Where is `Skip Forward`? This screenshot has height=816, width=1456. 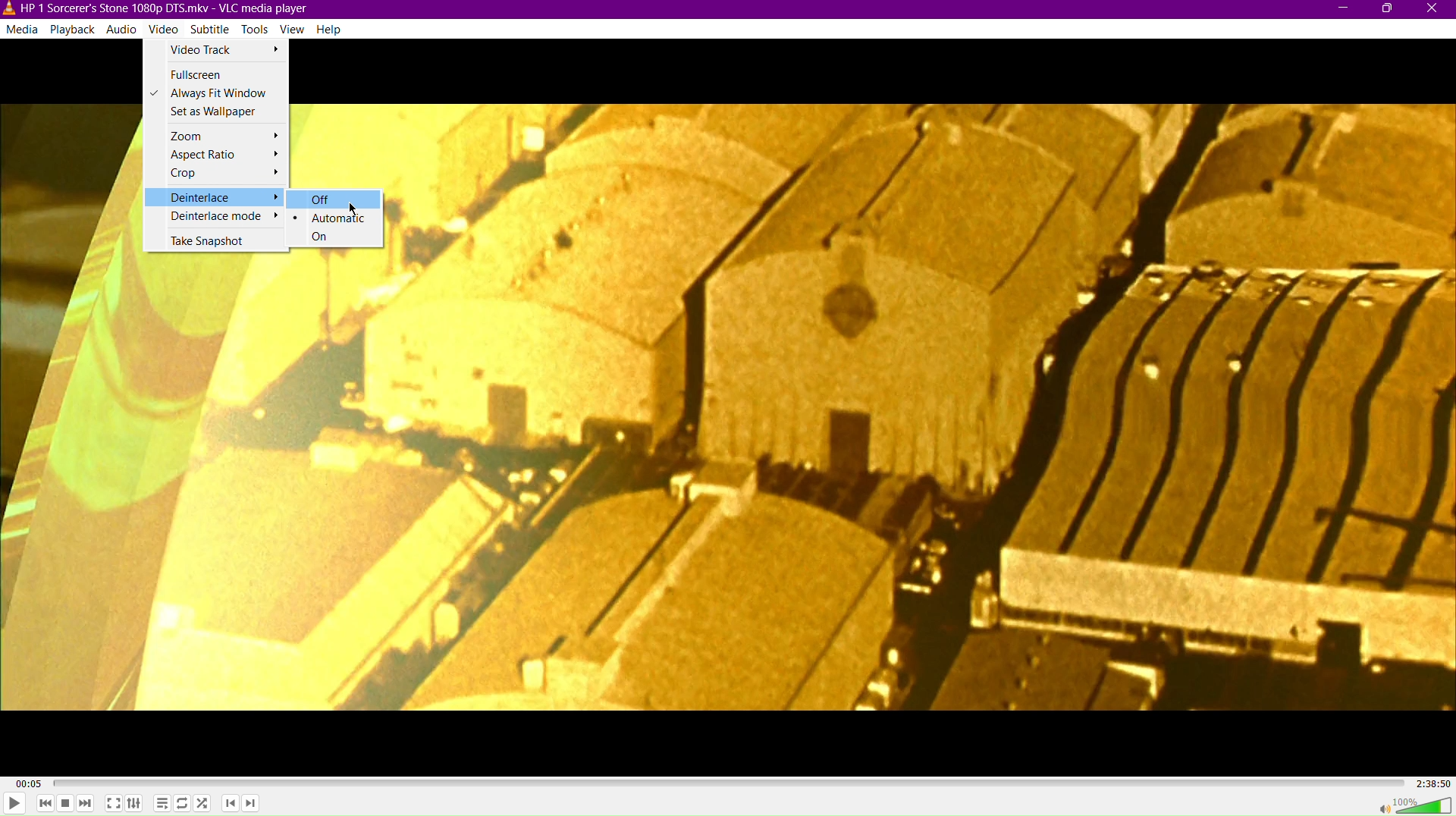 Skip Forward is located at coordinates (87, 802).